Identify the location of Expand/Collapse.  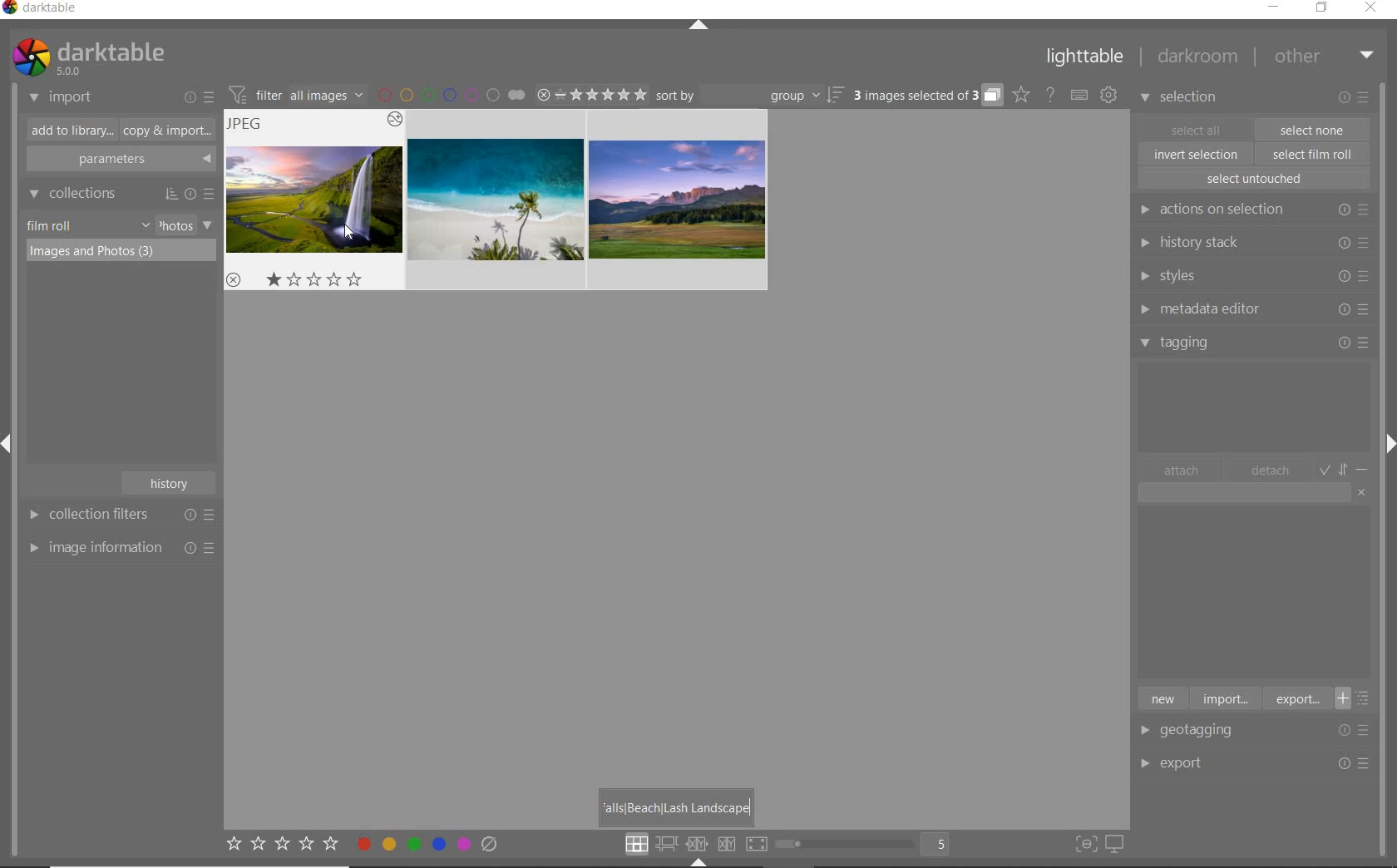
(698, 862).